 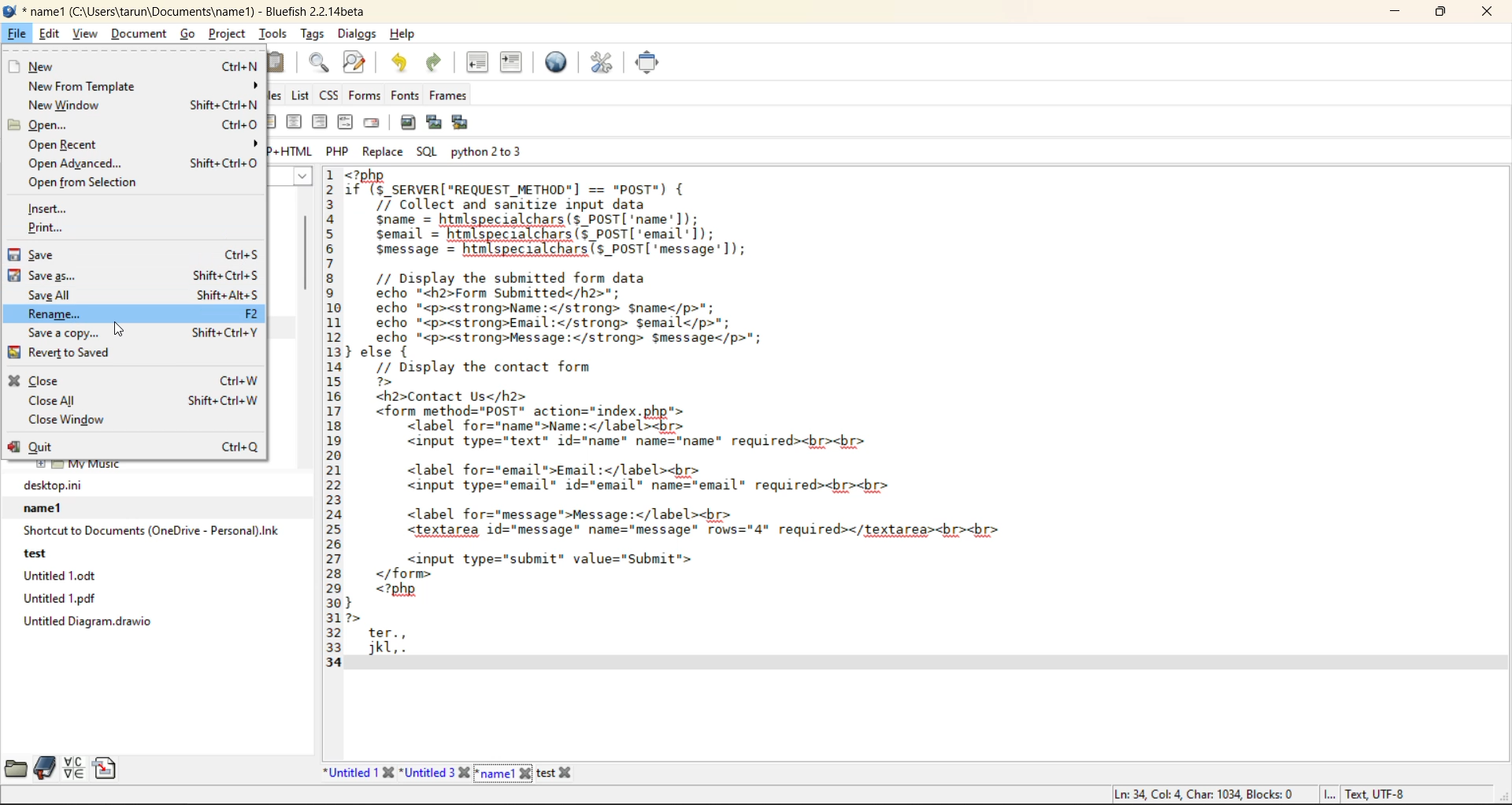 I want to click on open recent, so click(x=143, y=144).